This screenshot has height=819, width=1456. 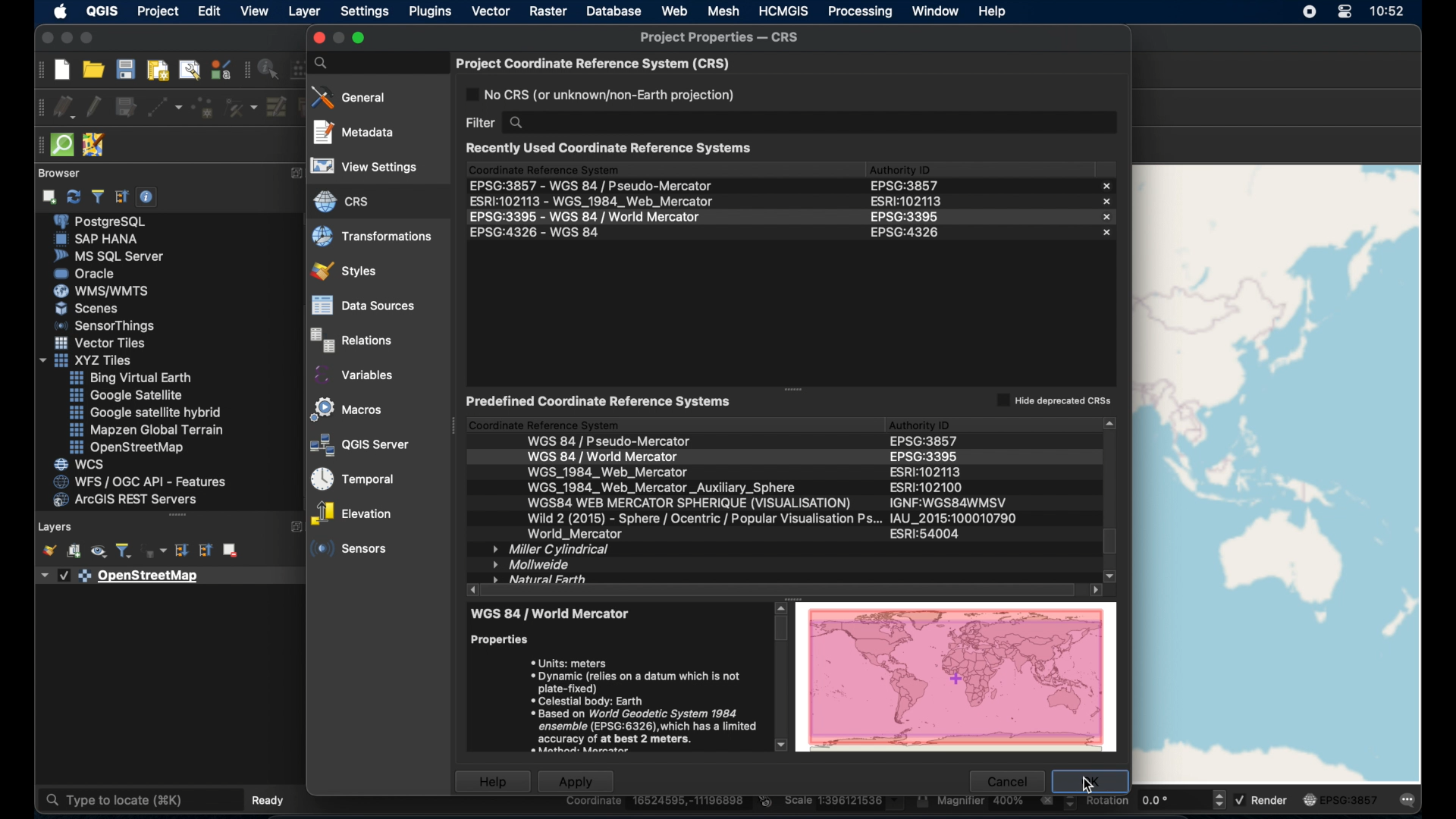 I want to click on openstreetmap, so click(x=133, y=578).